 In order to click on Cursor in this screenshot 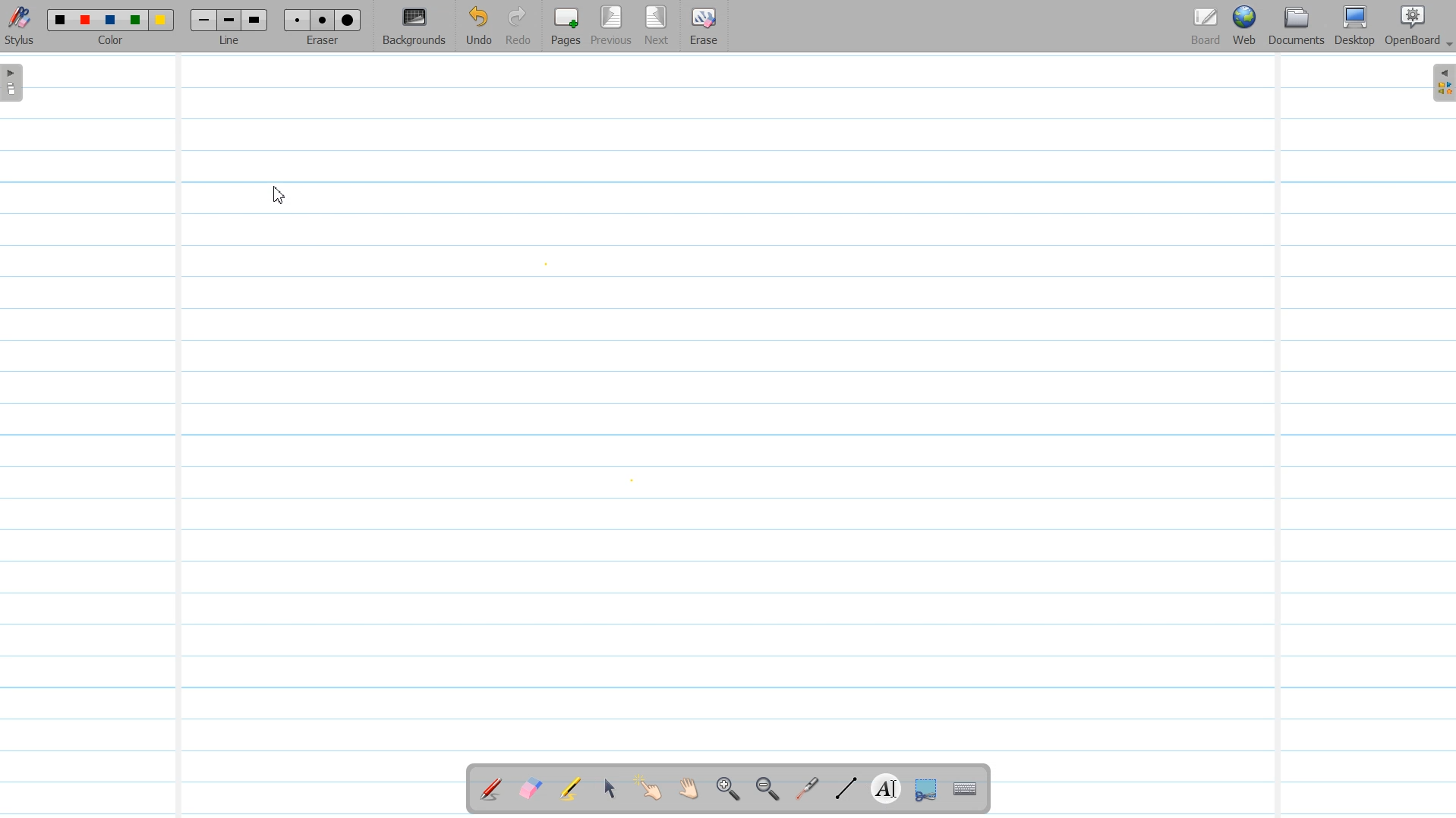, I will do `click(281, 197)`.